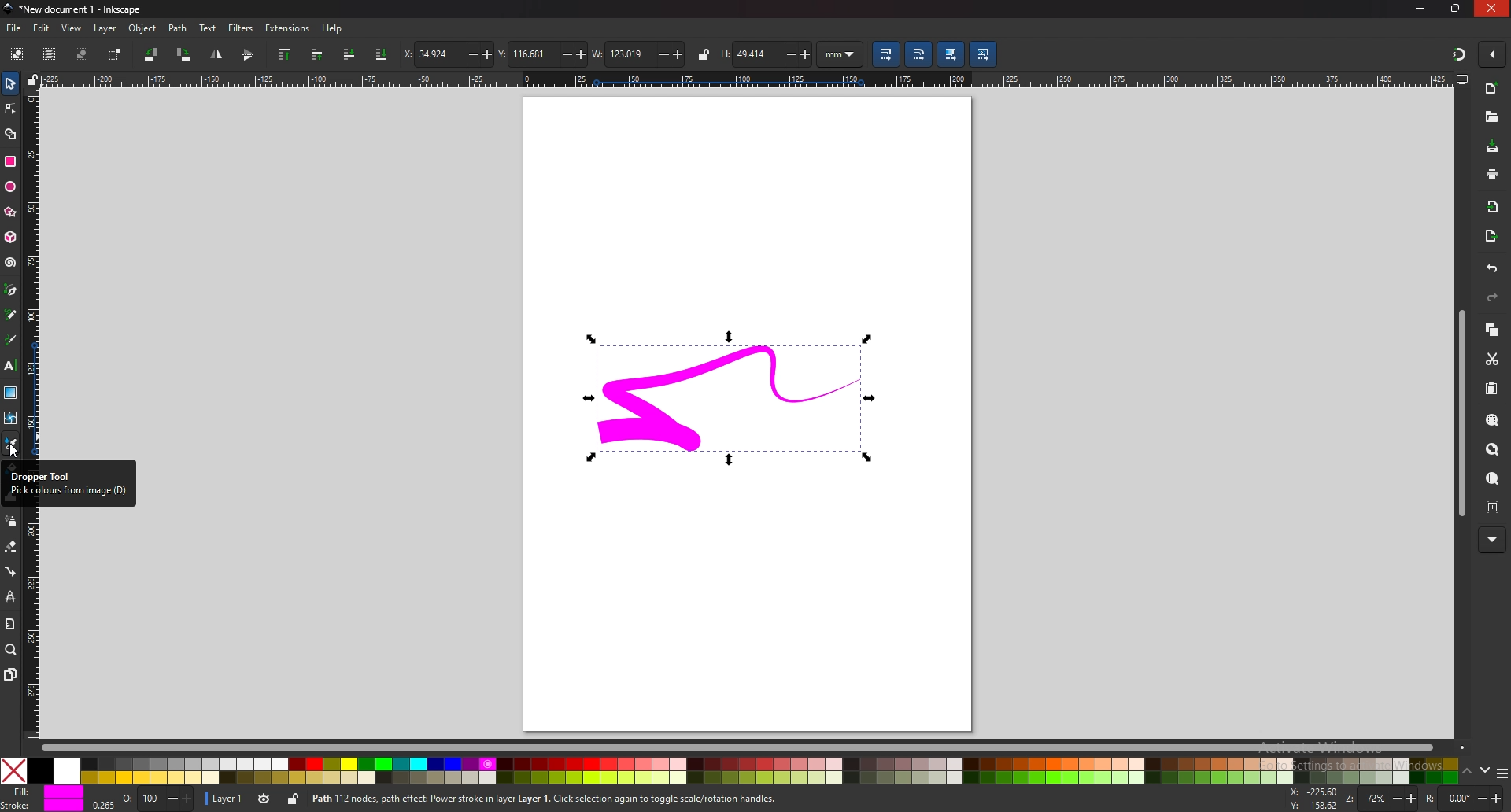 This screenshot has width=1511, height=812. I want to click on export, so click(1490, 236).